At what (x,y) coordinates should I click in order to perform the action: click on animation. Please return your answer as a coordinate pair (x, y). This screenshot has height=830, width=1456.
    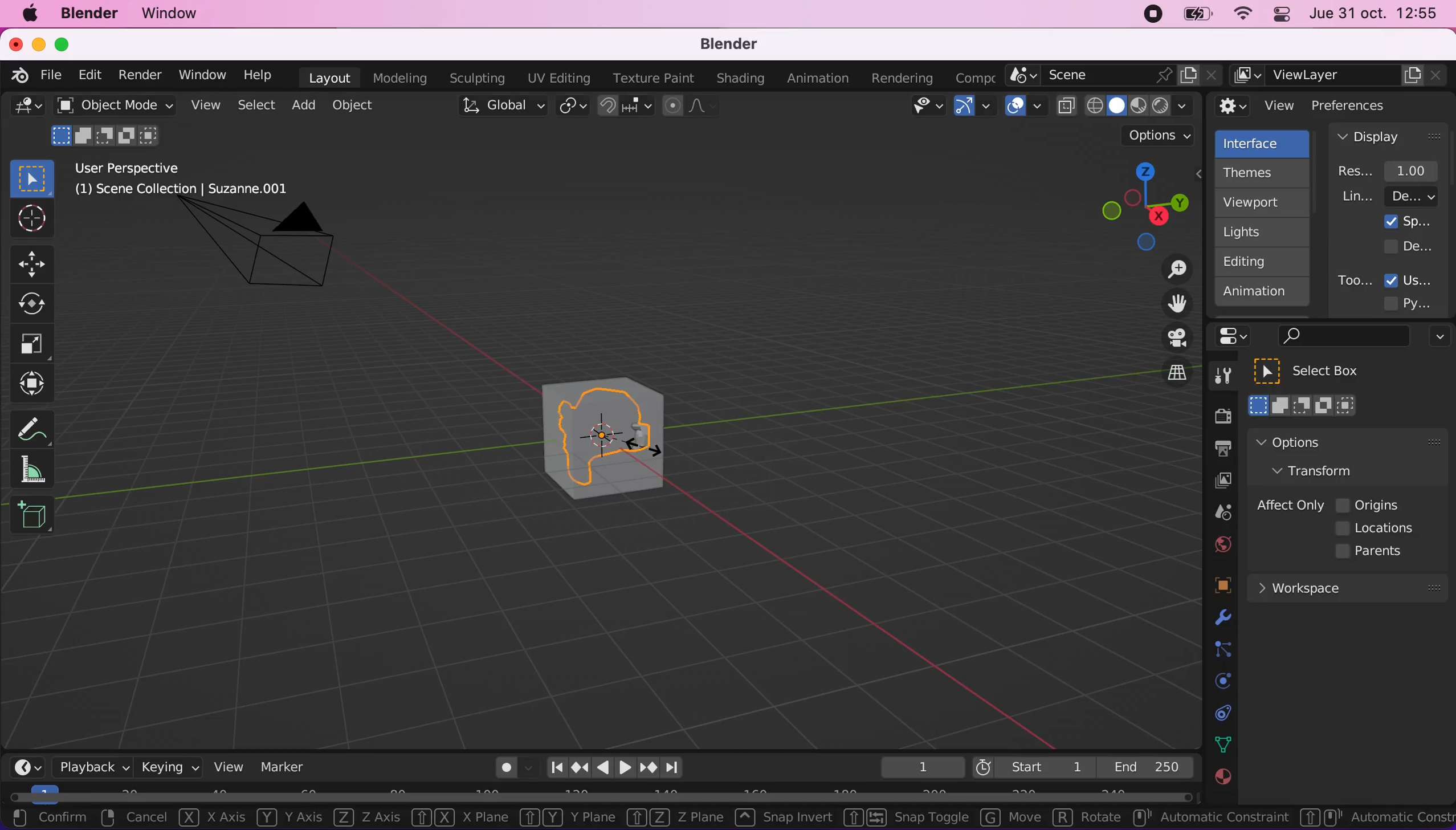
    Looking at the image, I should click on (821, 79).